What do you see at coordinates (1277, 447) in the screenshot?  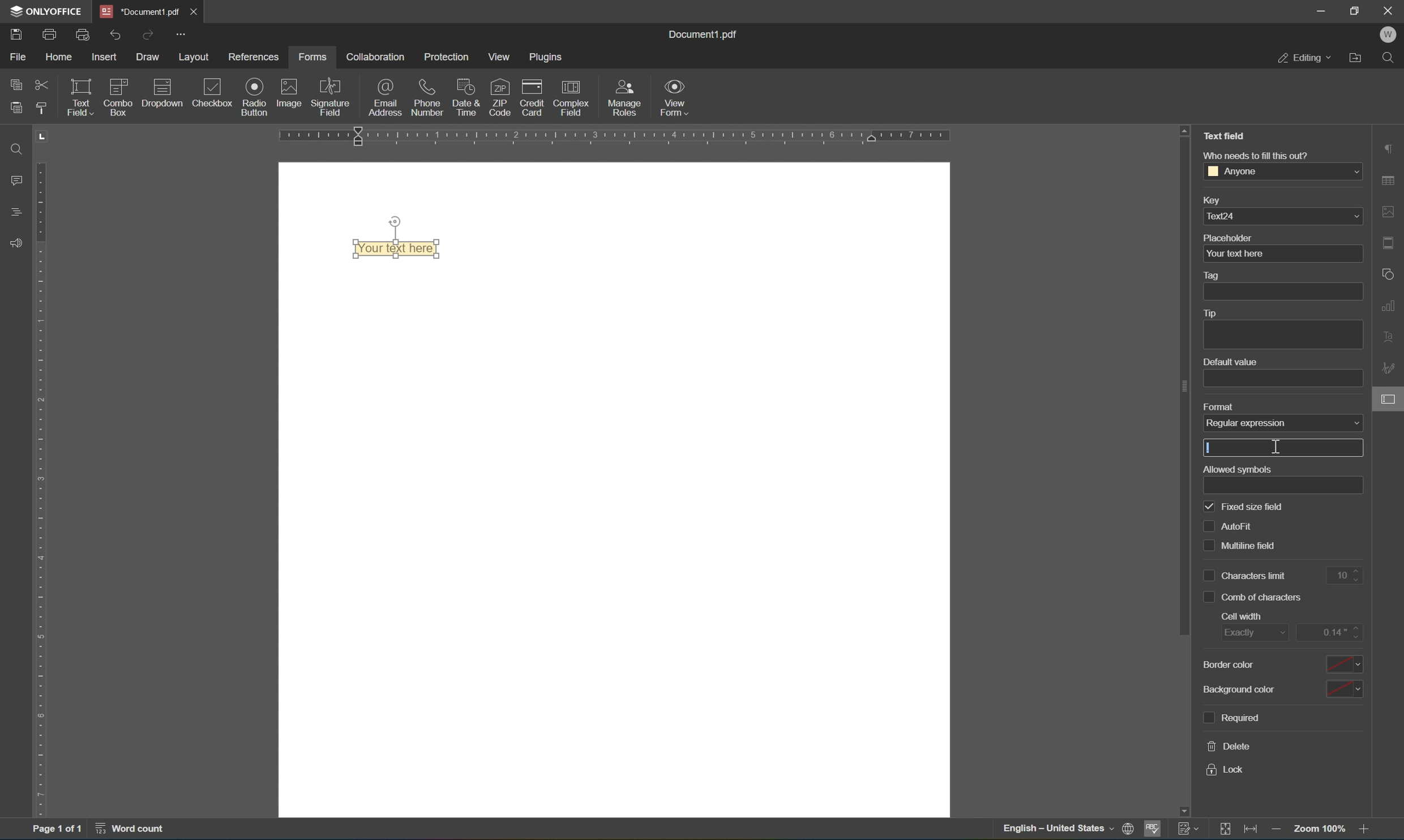 I see `cursor` at bounding box center [1277, 447].